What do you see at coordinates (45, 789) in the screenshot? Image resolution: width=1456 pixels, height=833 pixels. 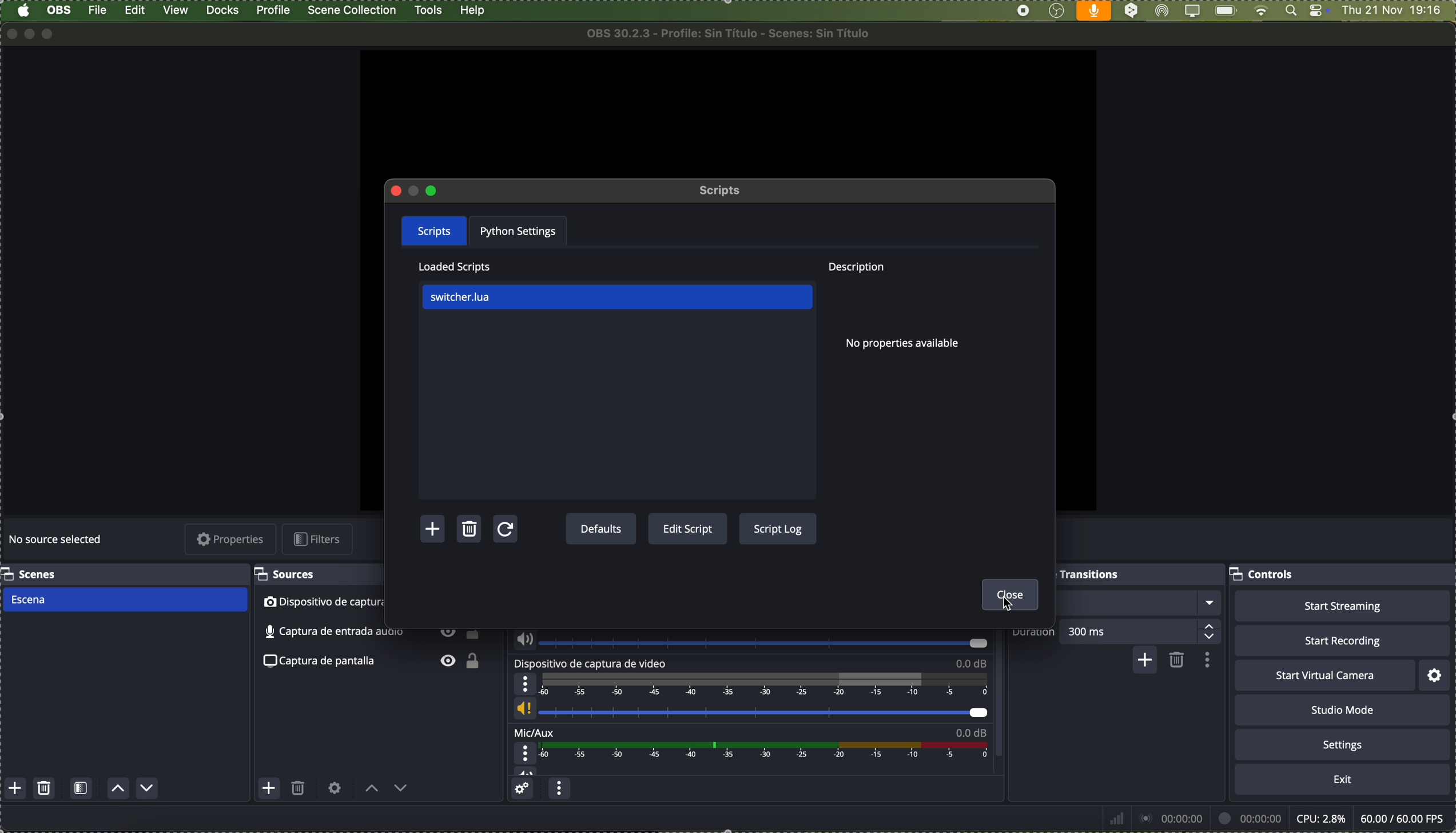 I see `remove selected scene` at bounding box center [45, 789].